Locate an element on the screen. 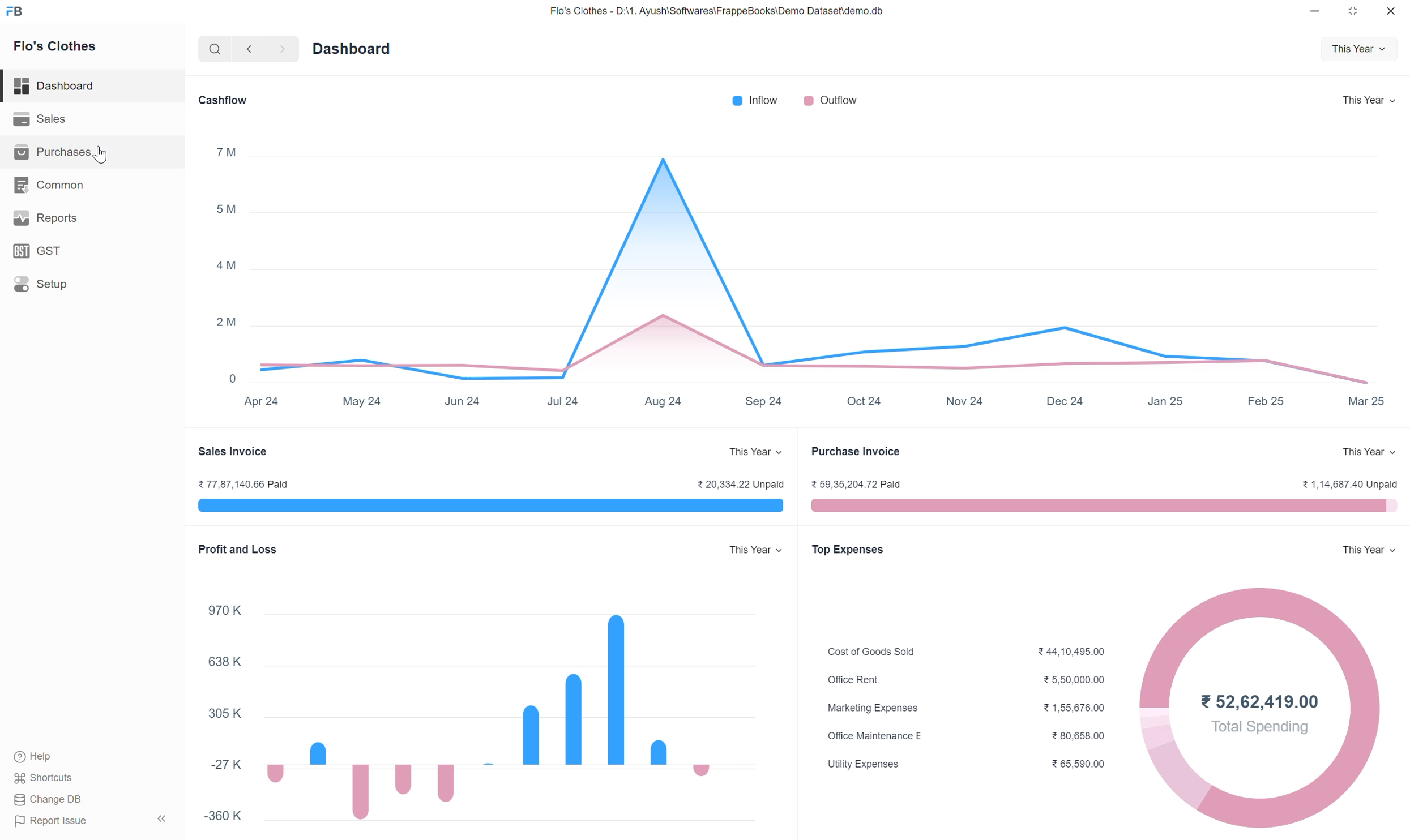 The width and height of the screenshot is (1410, 840). 5M is located at coordinates (225, 211).